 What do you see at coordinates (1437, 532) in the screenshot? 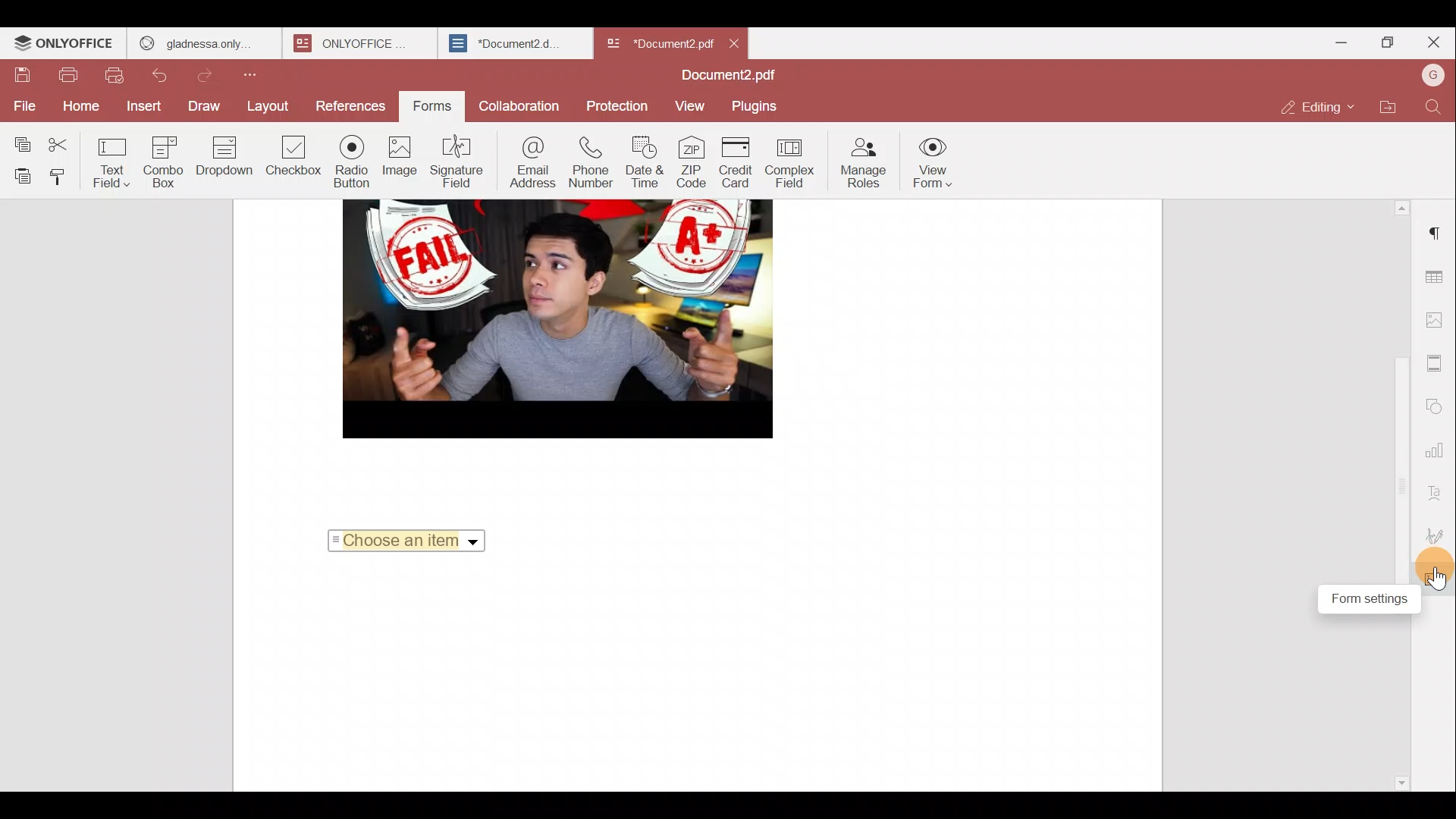
I see `Signature settings` at bounding box center [1437, 532].